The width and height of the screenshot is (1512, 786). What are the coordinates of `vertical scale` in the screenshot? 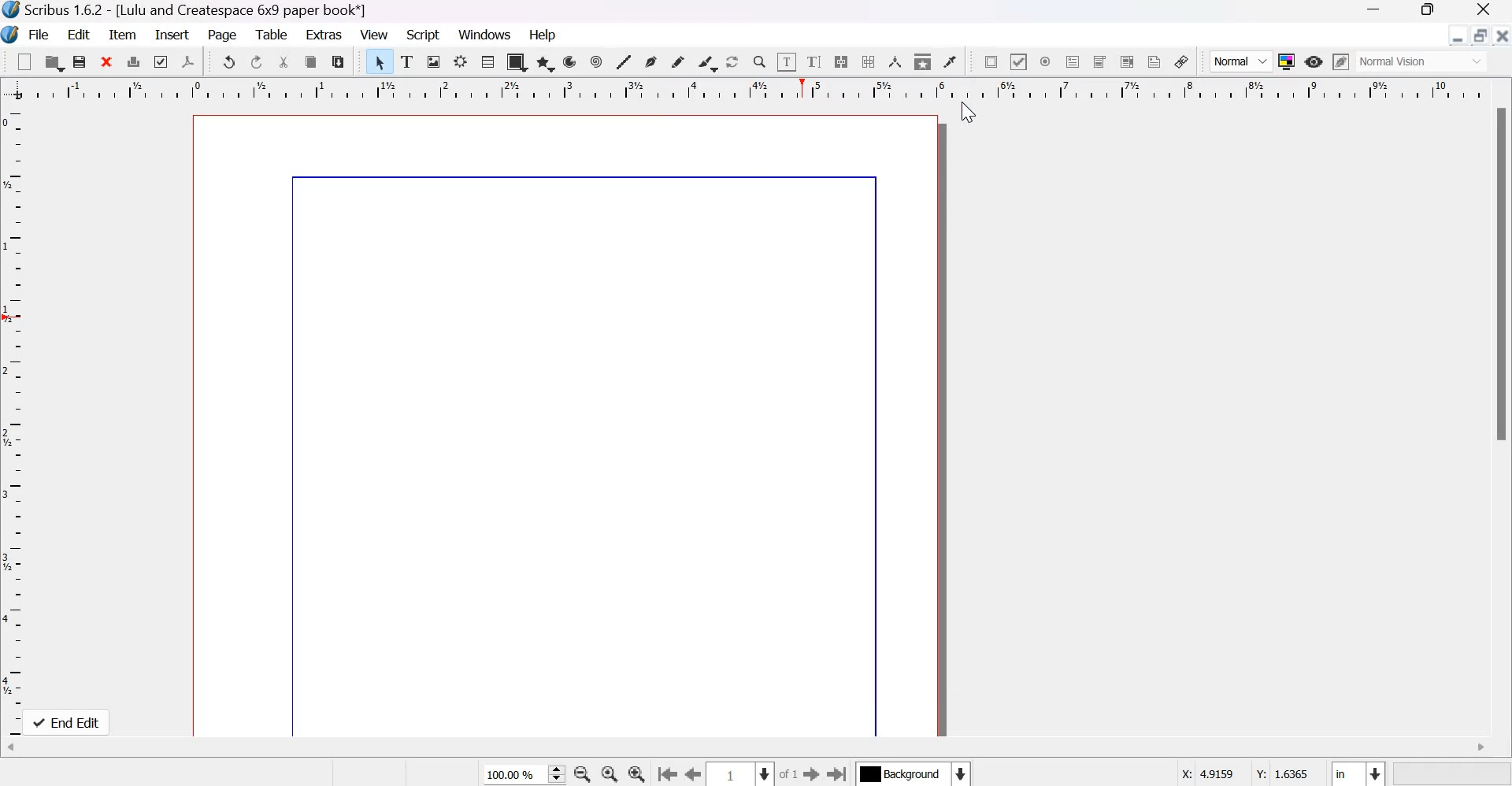 It's located at (16, 418).